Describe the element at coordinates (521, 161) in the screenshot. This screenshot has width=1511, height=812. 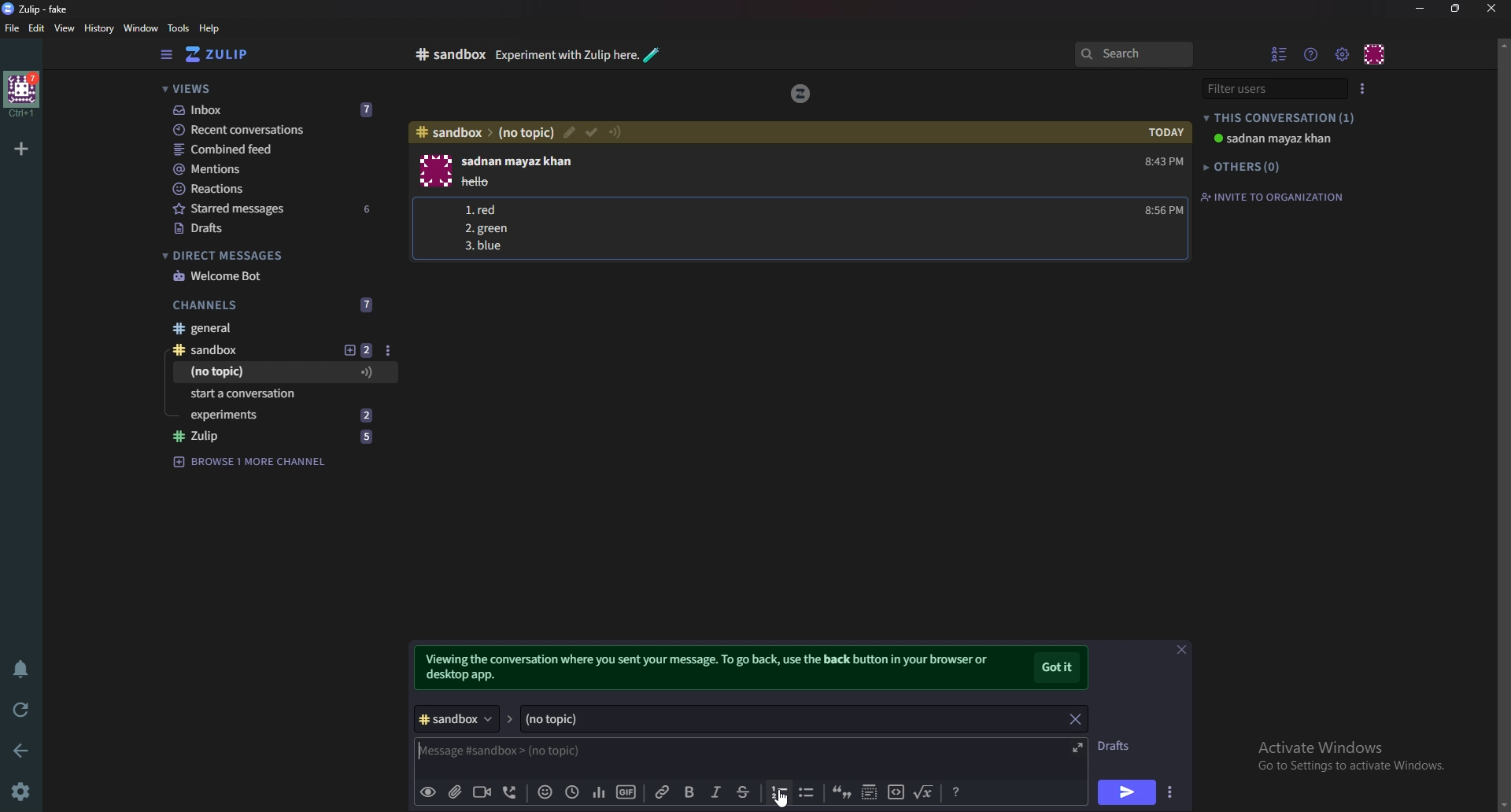
I see `User` at that location.